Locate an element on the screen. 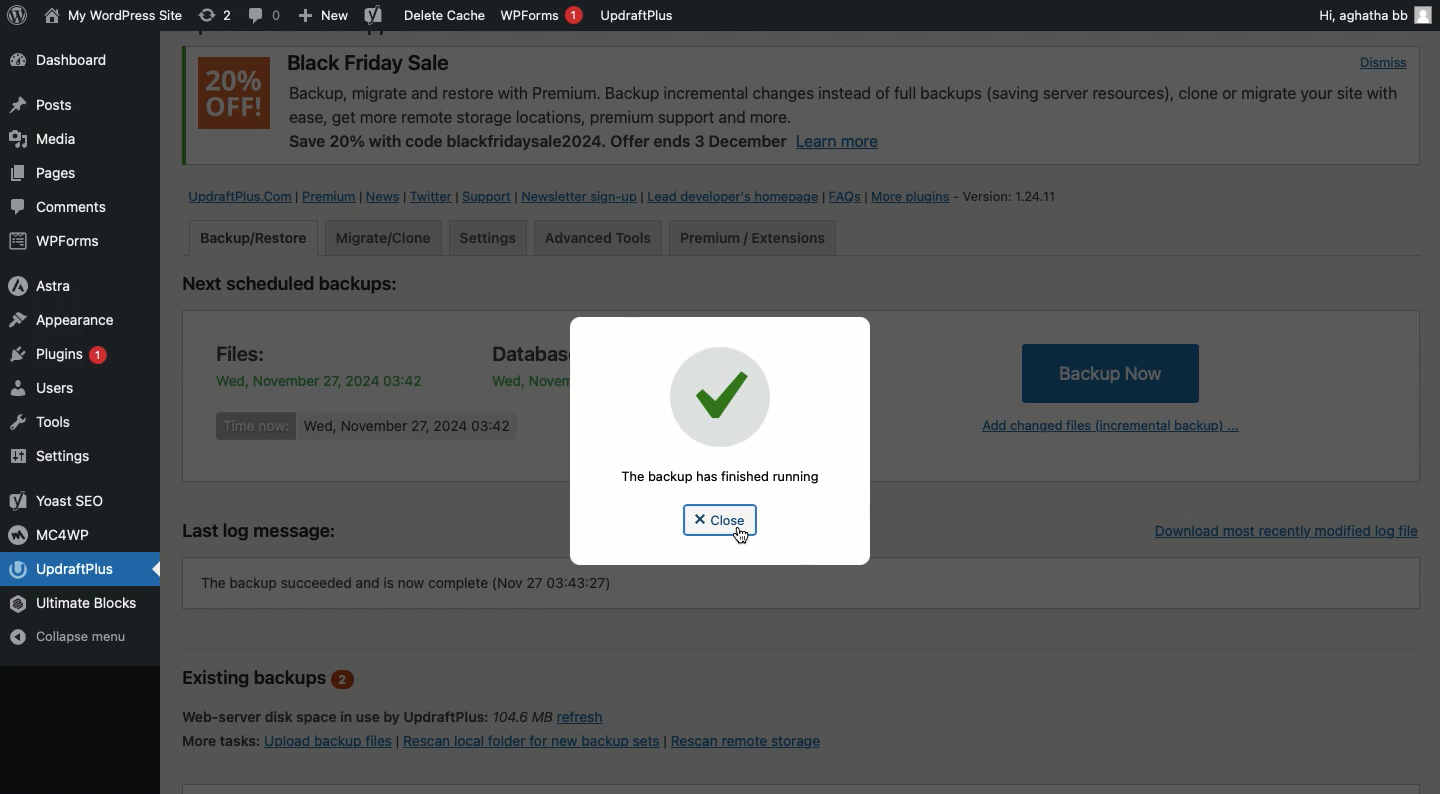  Cursor is located at coordinates (742, 536).